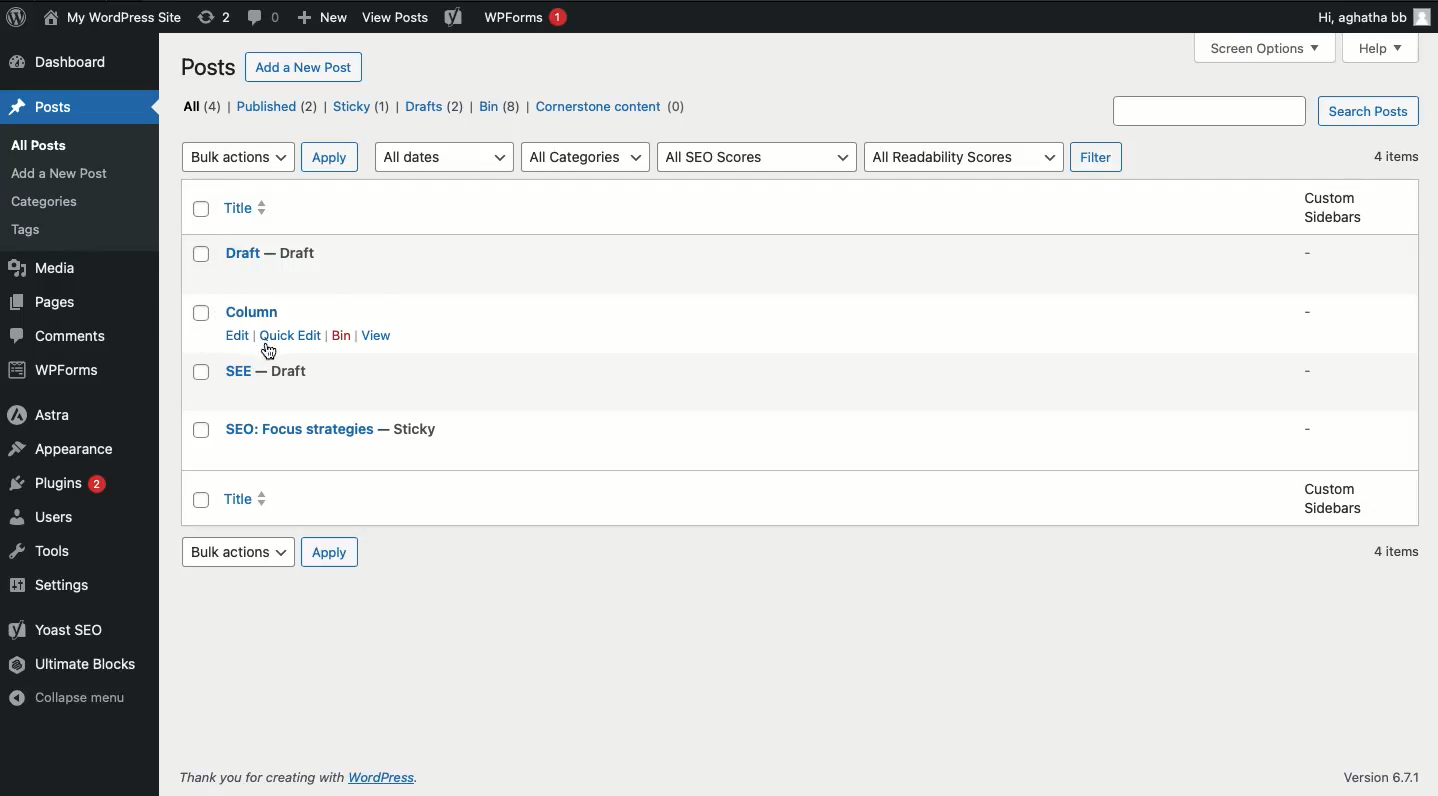 Image resolution: width=1438 pixels, height=796 pixels. Describe the element at coordinates (46, 145) in the screenshot. I see `Posts` at that location.